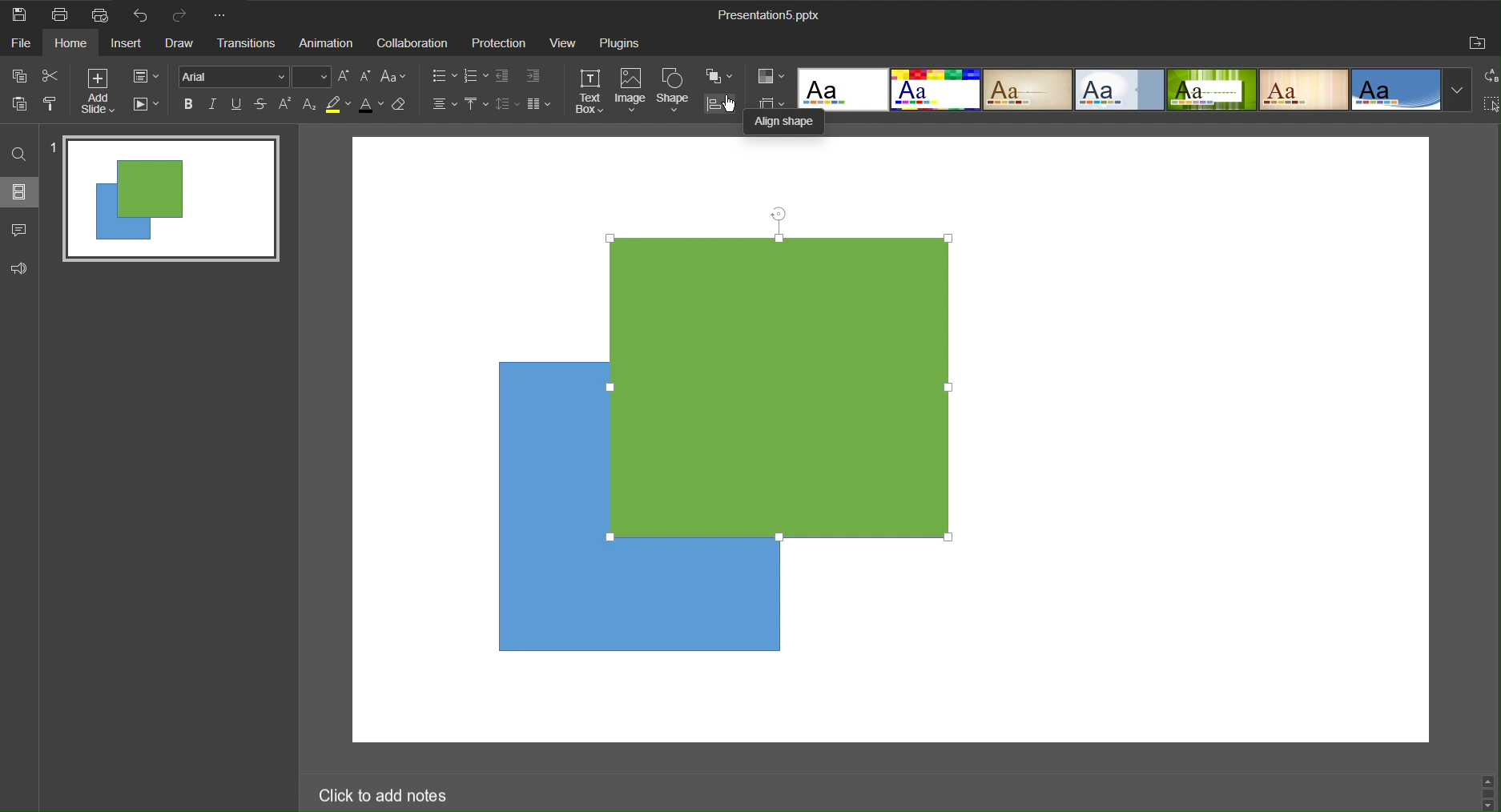 The image size is (1501, 812). What do you see at coordinates (794, 121) in the screenshot?
I see `tool tip` at bounding box center [794, 121].